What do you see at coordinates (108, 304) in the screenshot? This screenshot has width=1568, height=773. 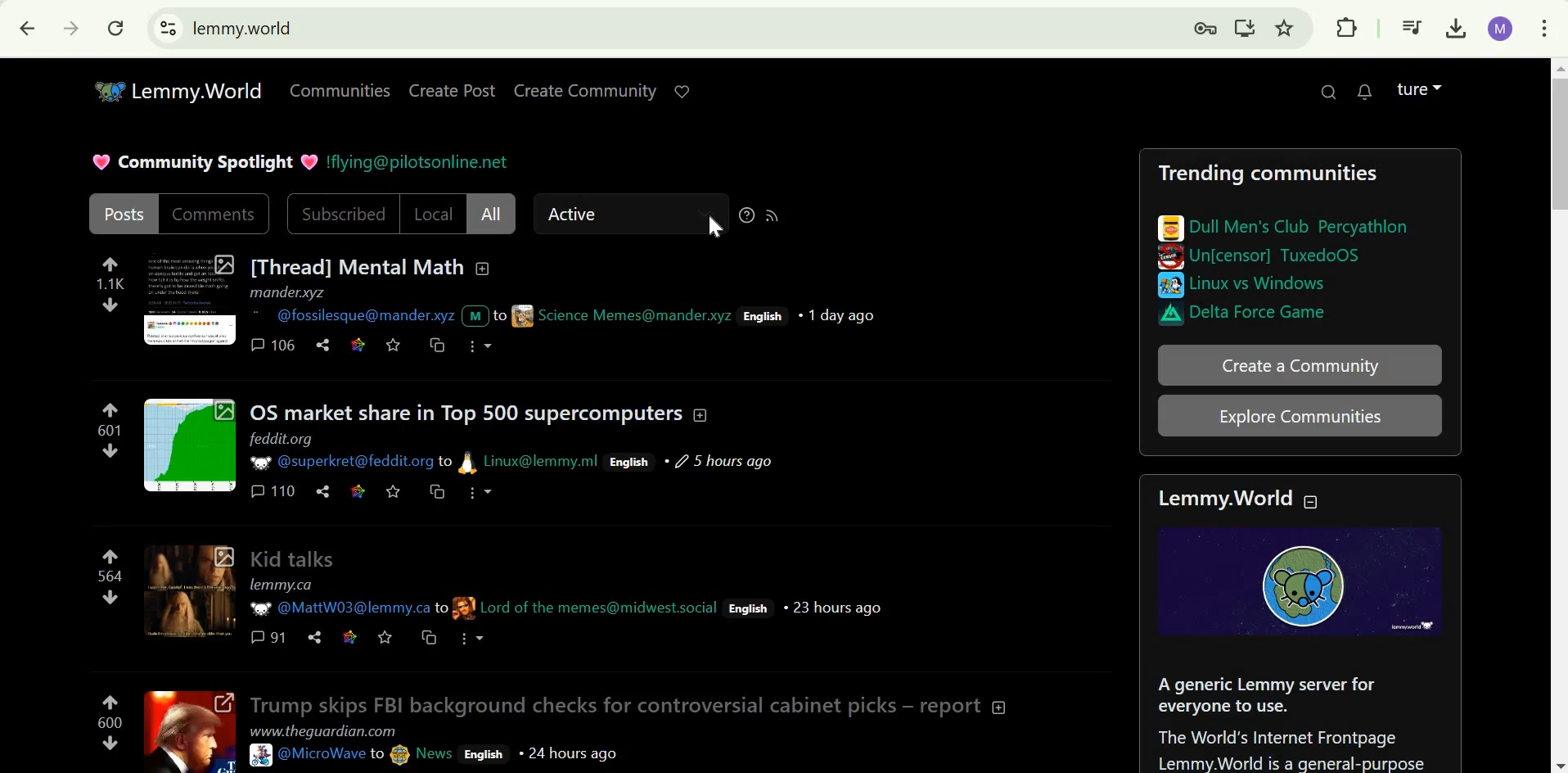 I see `downvote` at bounding box center [108, 304].